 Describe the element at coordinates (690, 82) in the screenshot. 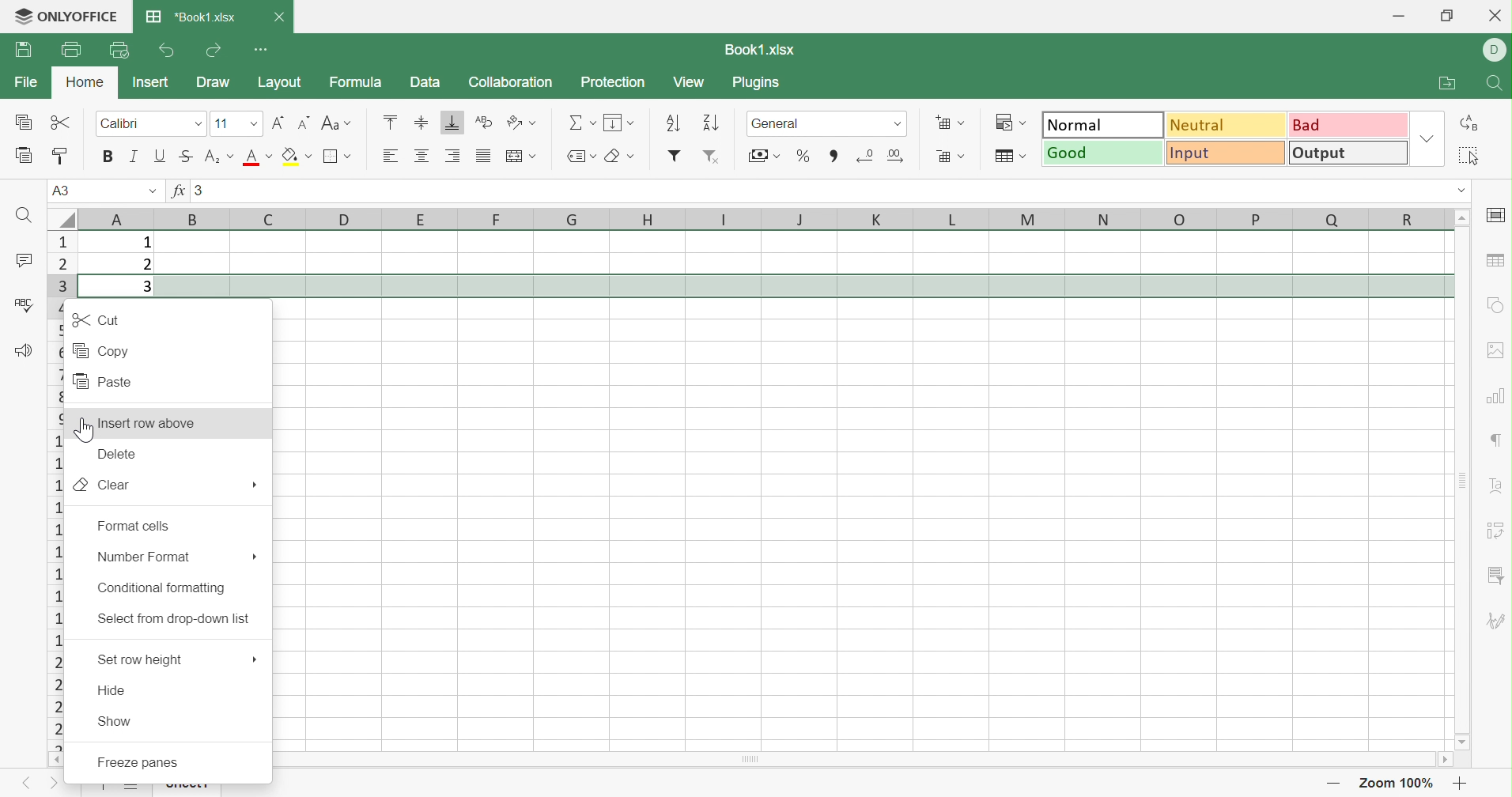

I see `View` at that location.